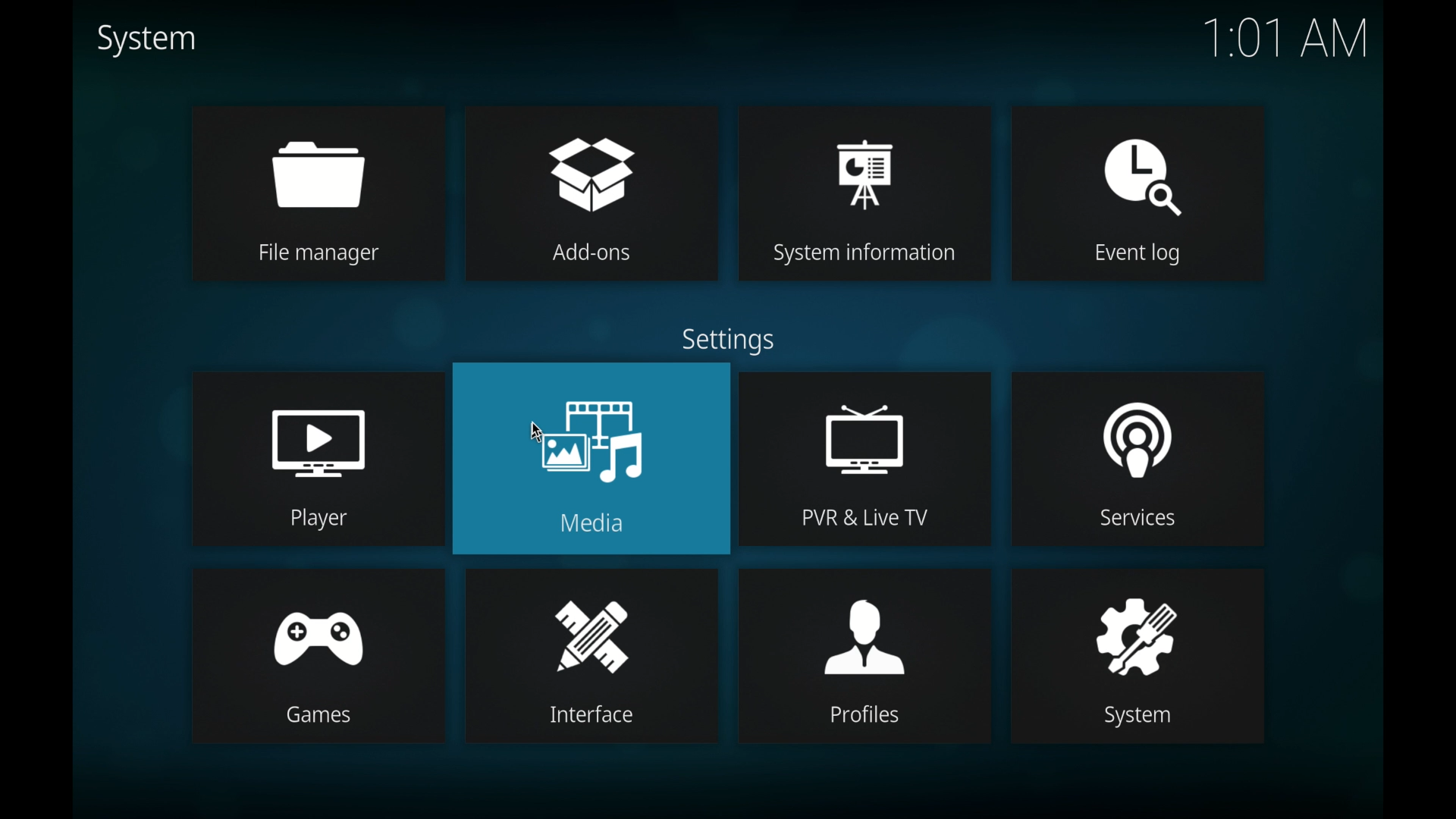  I want to click on System, so click(1128, 714).